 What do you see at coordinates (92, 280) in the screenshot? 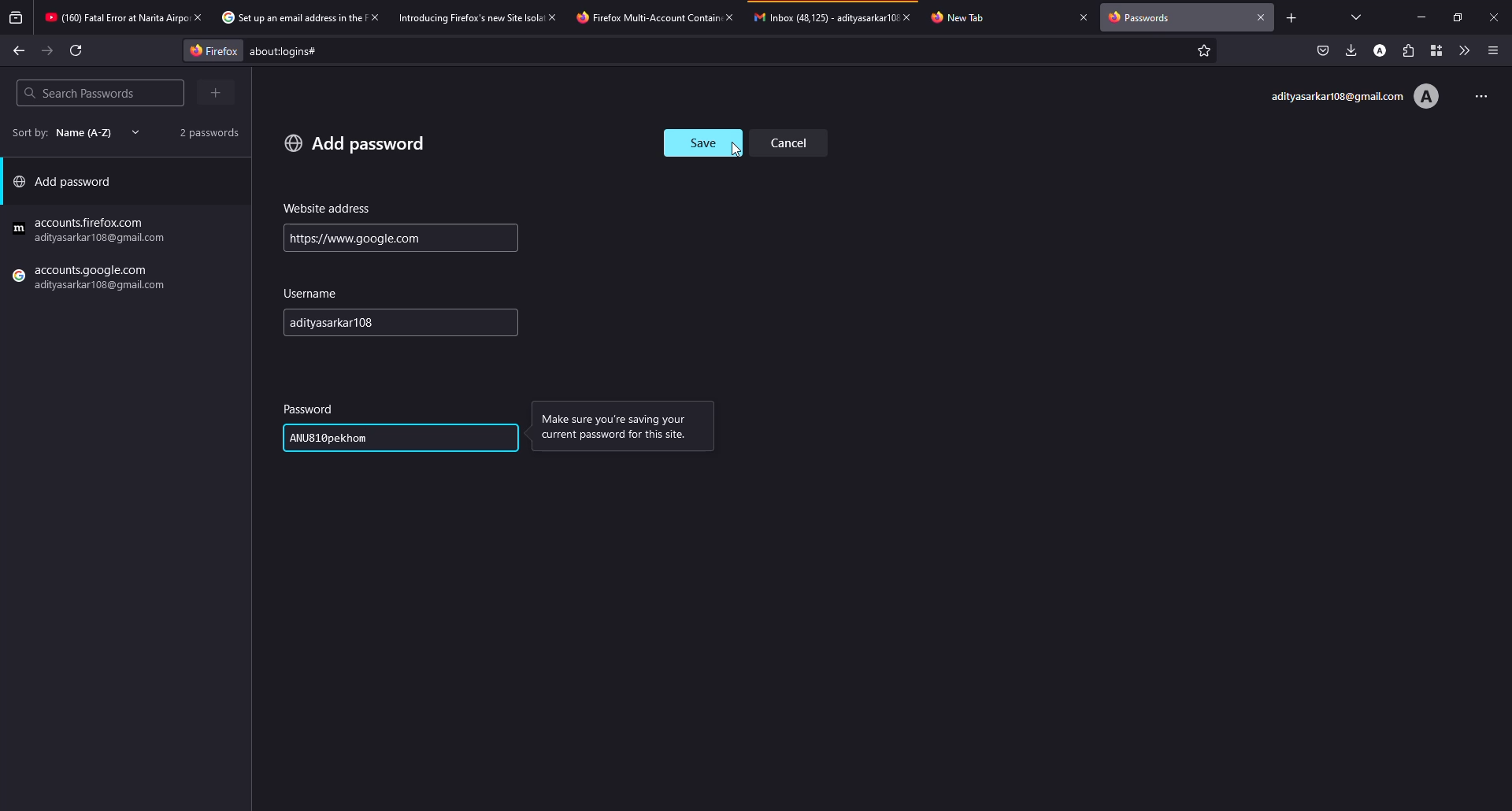
I see `firefox` at bounding box center [92, 280].